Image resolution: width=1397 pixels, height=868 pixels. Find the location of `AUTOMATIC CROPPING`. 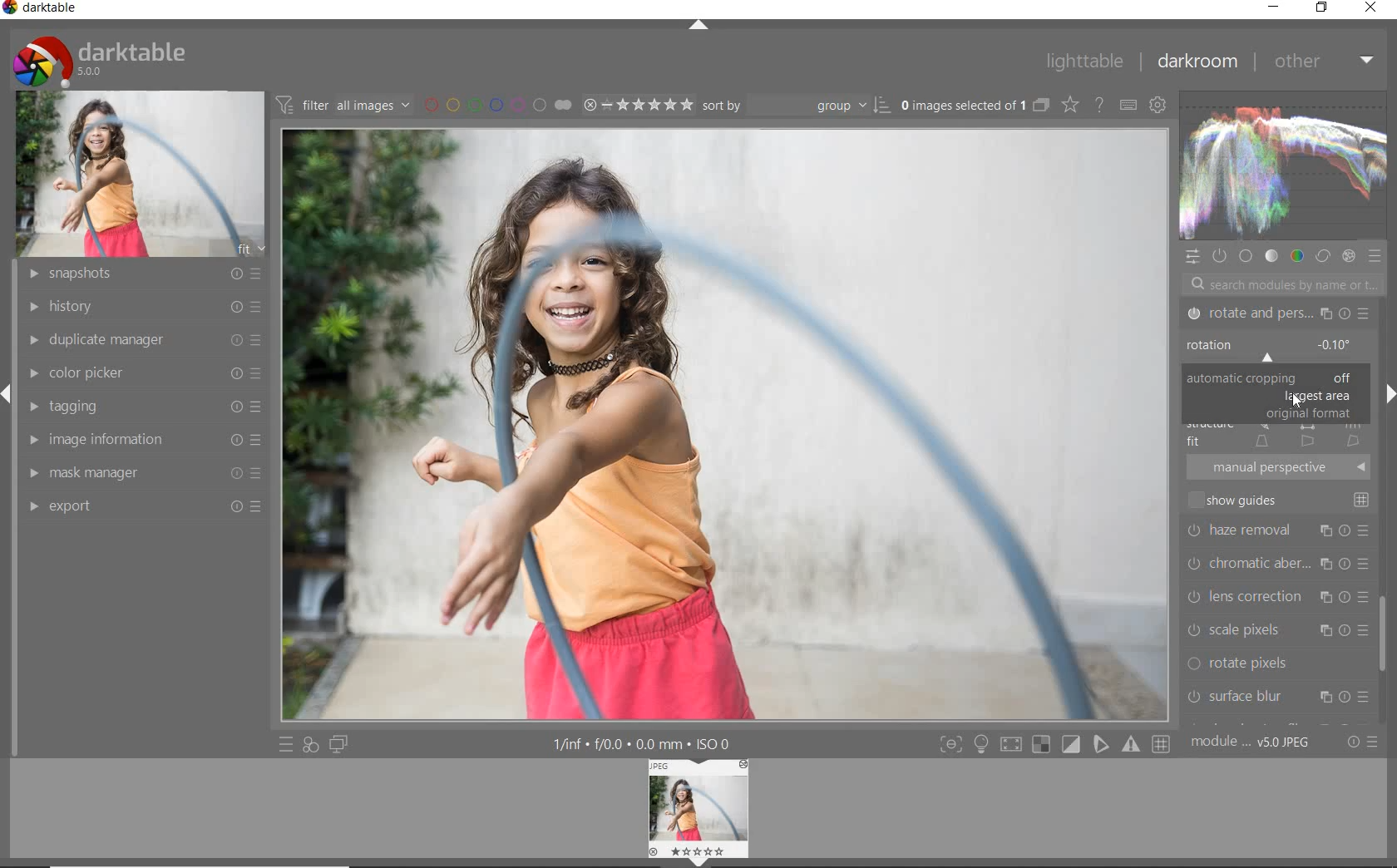

AUTOMATIC CROPPING is located at coordinates (1274, 378).